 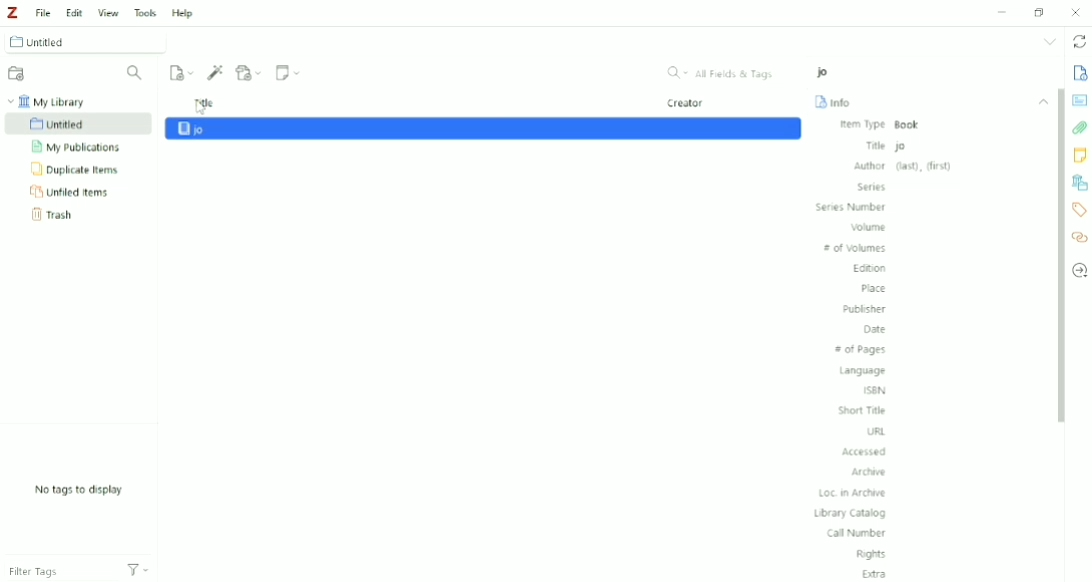 What do you see at coordinates (825, 72) in the screenshot?
I see `Book Title` at bounding box center [825, 72].